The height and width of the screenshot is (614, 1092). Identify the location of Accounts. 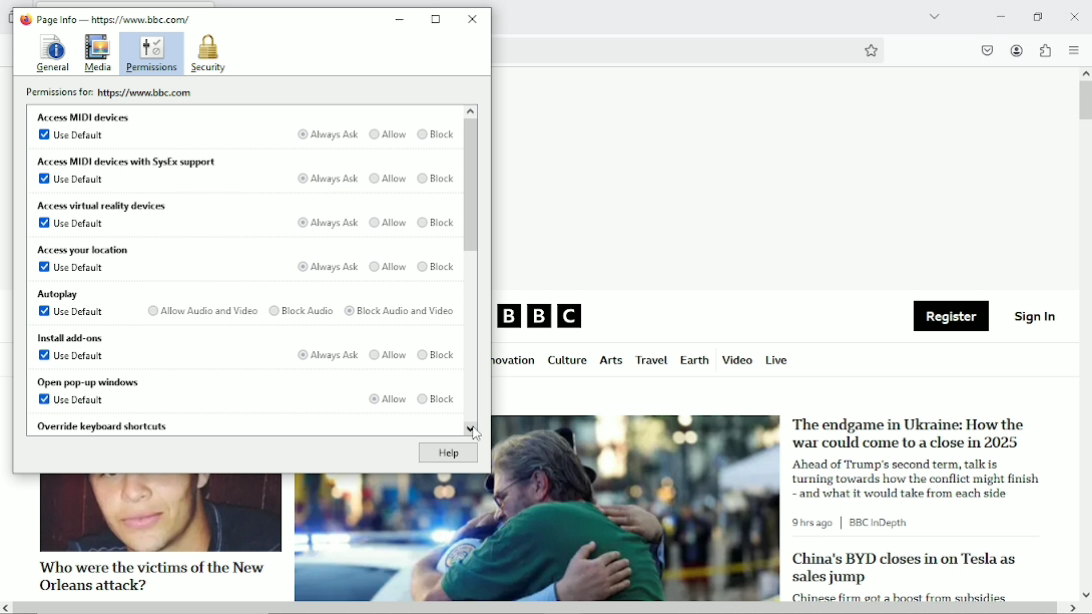
(1015, 48).